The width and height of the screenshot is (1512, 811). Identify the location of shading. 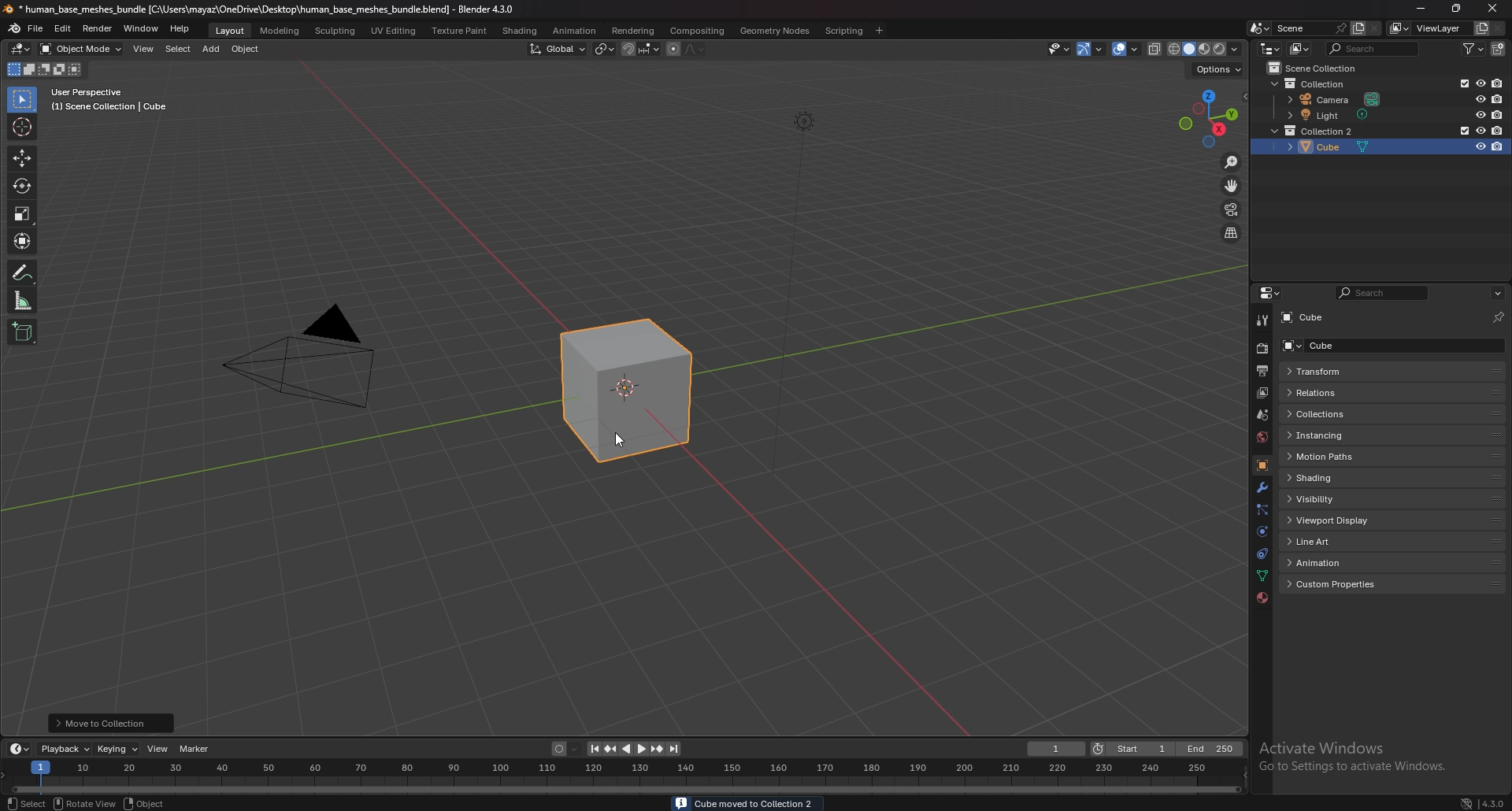
(521, 31).